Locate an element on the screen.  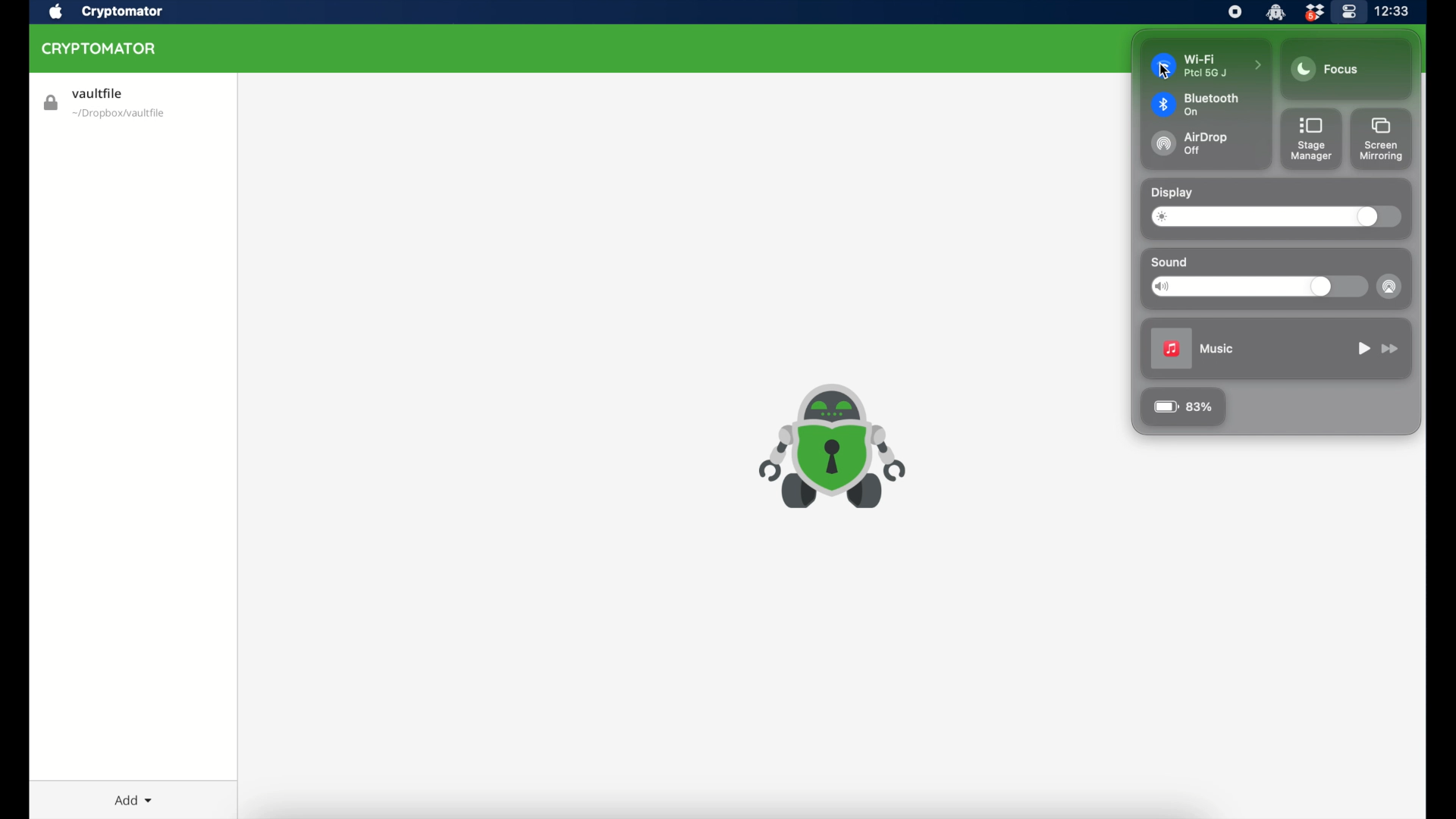
cryptomator icon is located at coordinates (1275, 12).